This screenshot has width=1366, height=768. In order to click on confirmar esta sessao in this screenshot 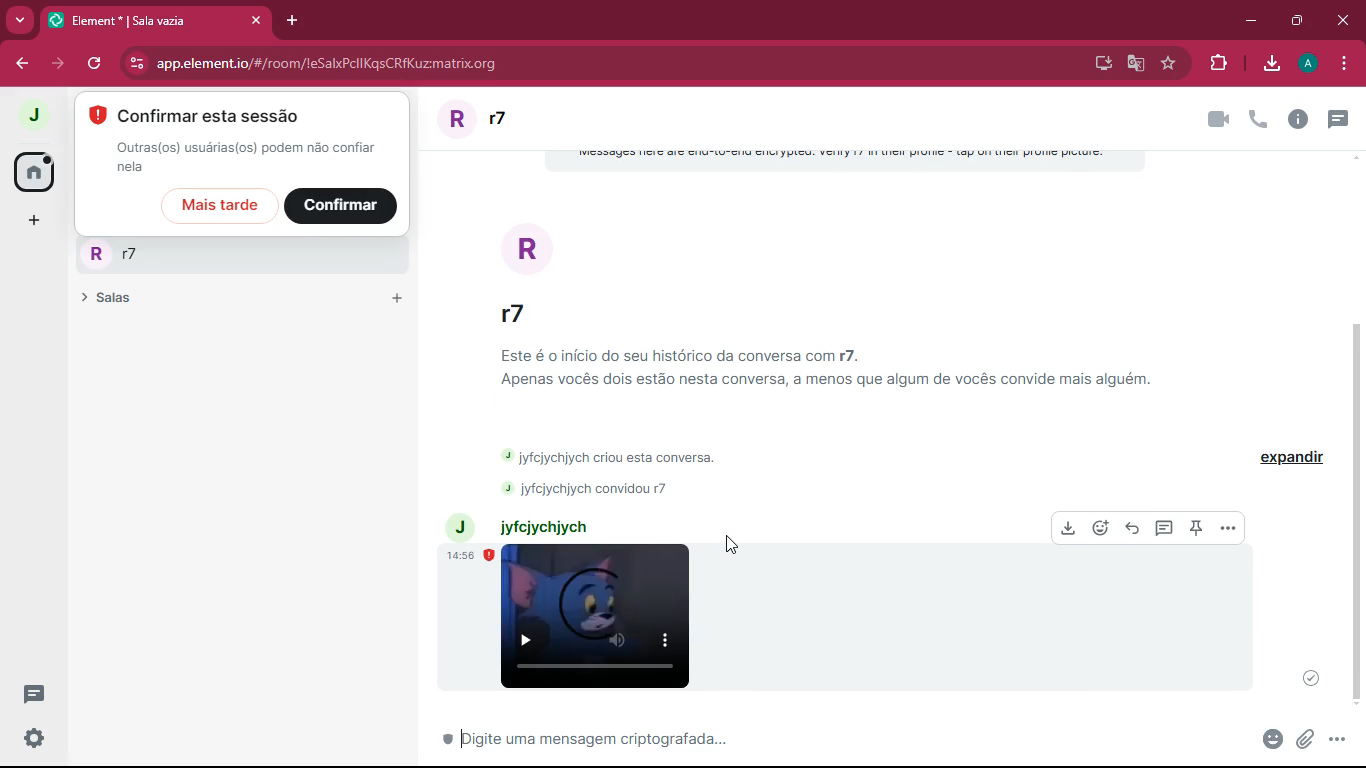, I will do `click(203, 114)`.